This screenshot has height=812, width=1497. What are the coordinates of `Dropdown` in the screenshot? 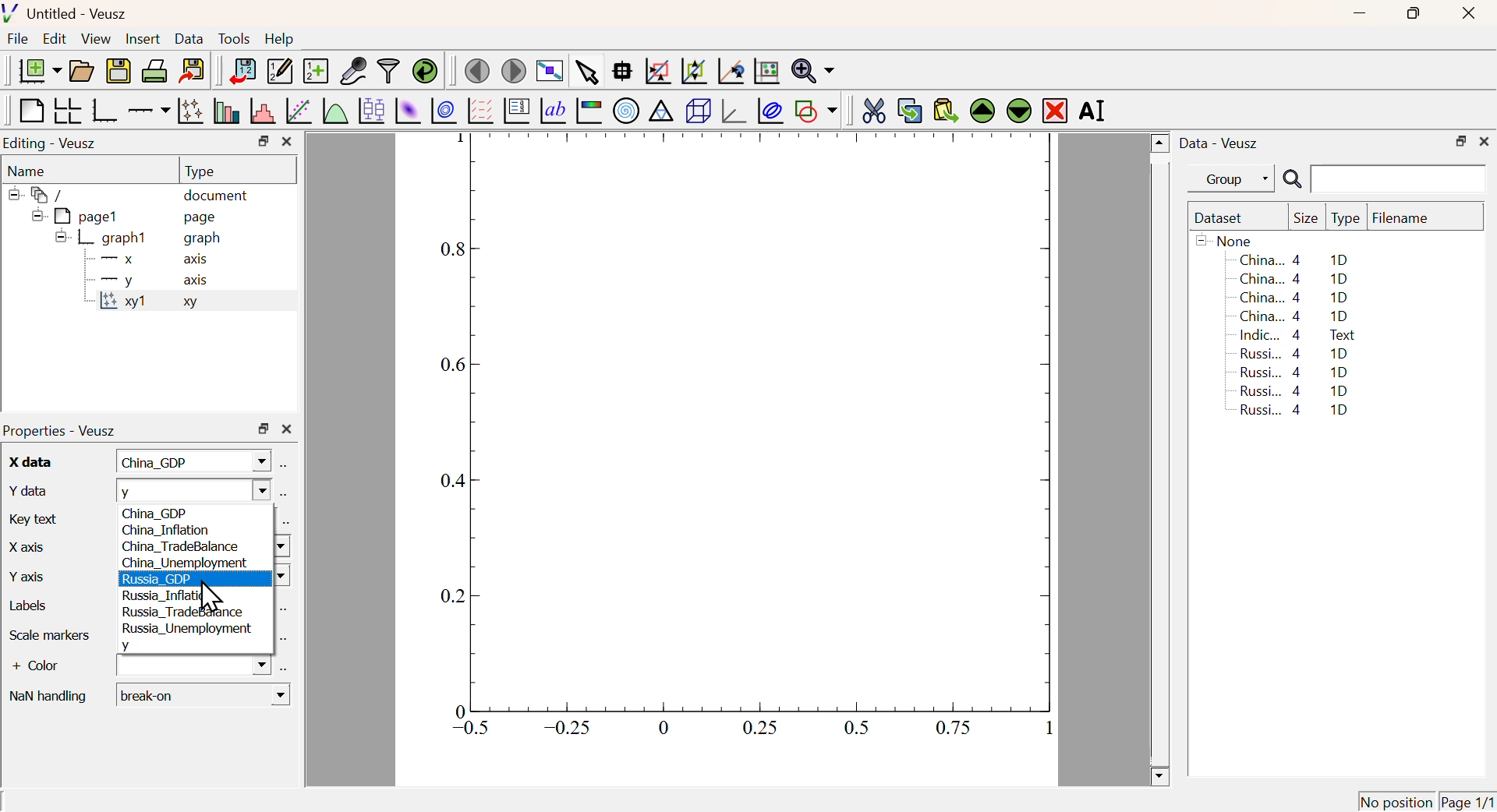 It's located at (281, 548).